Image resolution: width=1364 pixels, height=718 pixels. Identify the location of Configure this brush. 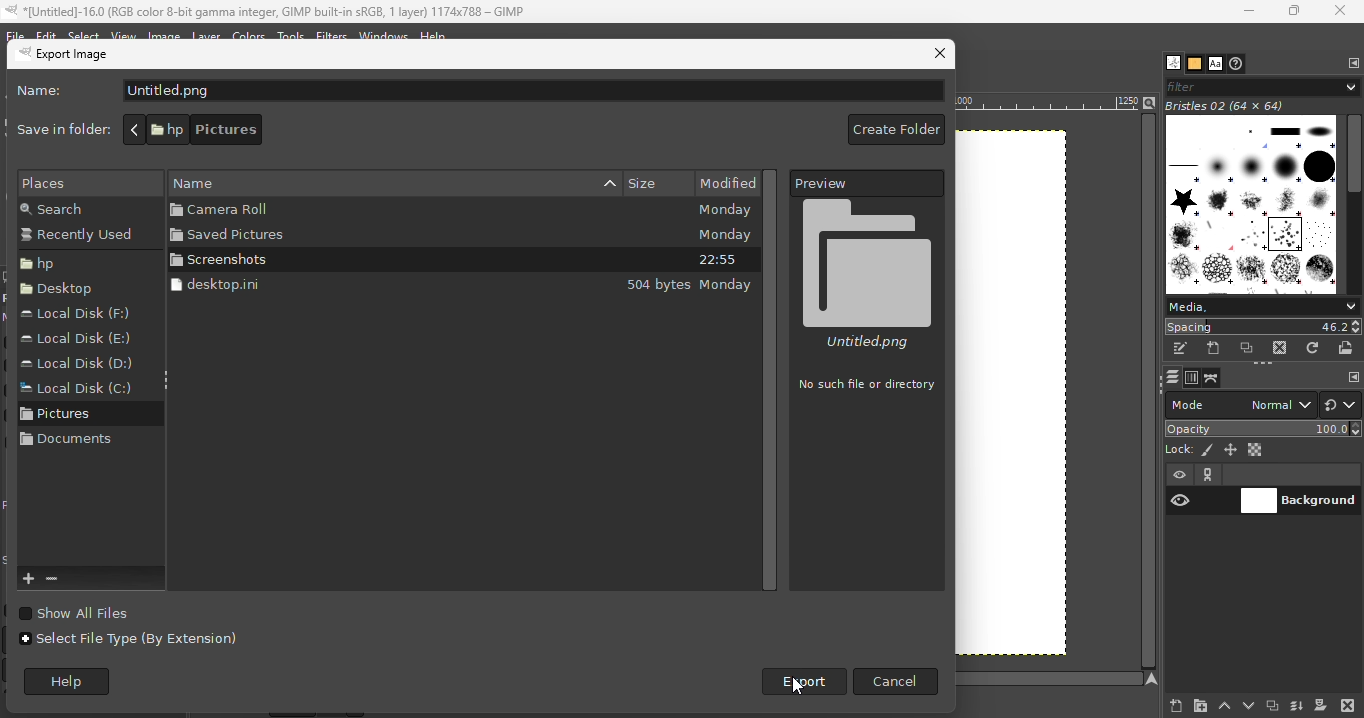
(1354, 377).